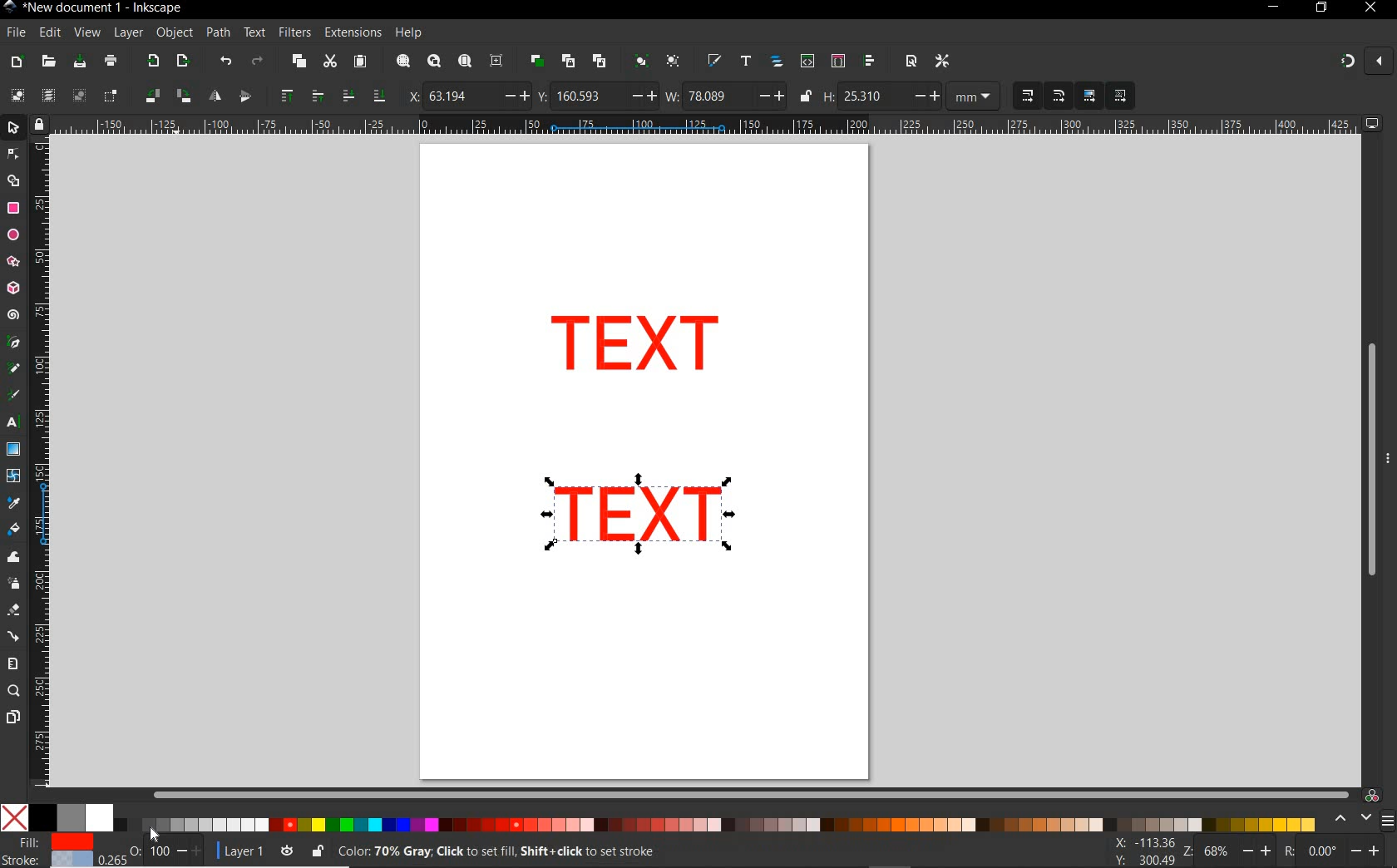 The image size is (1397, 868). What do you see at coordinates (751, 794) in the screenshot?
I see `scrollbar` at bounding box center [751, 794].